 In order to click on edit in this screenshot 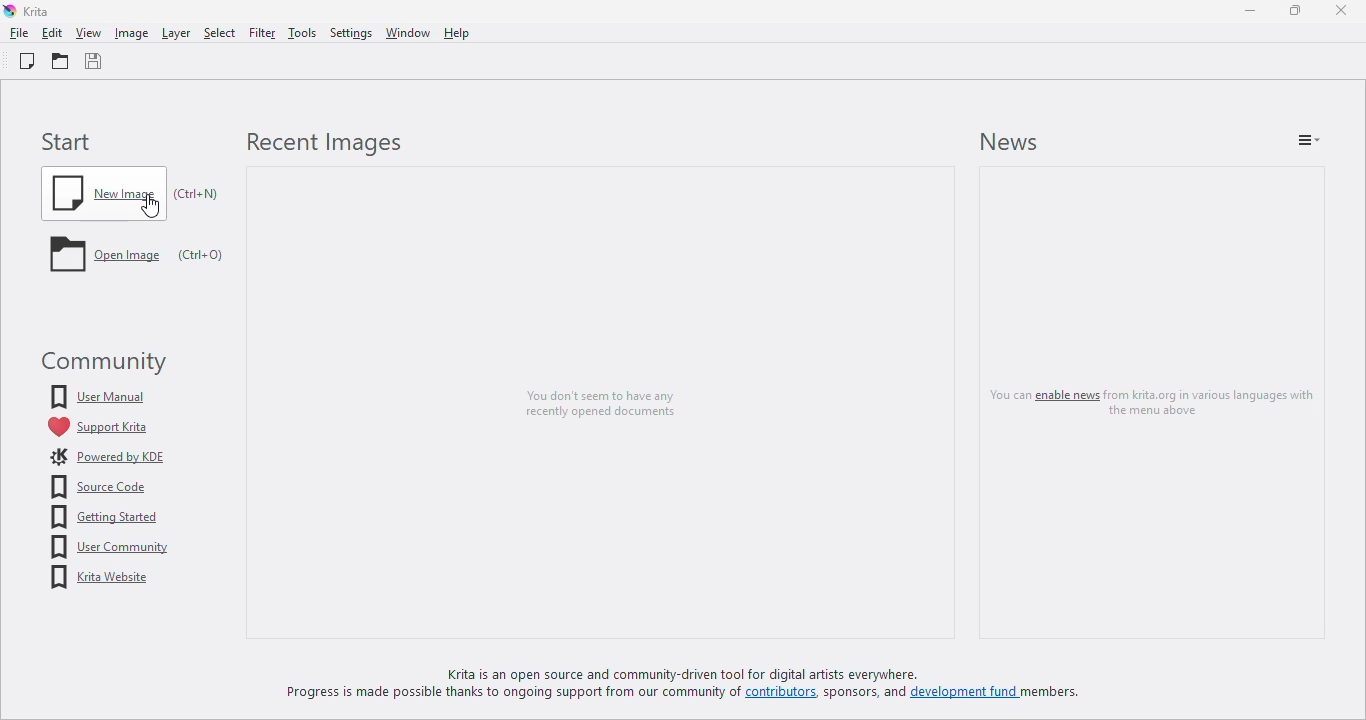, I will do `click(51, 33)`.